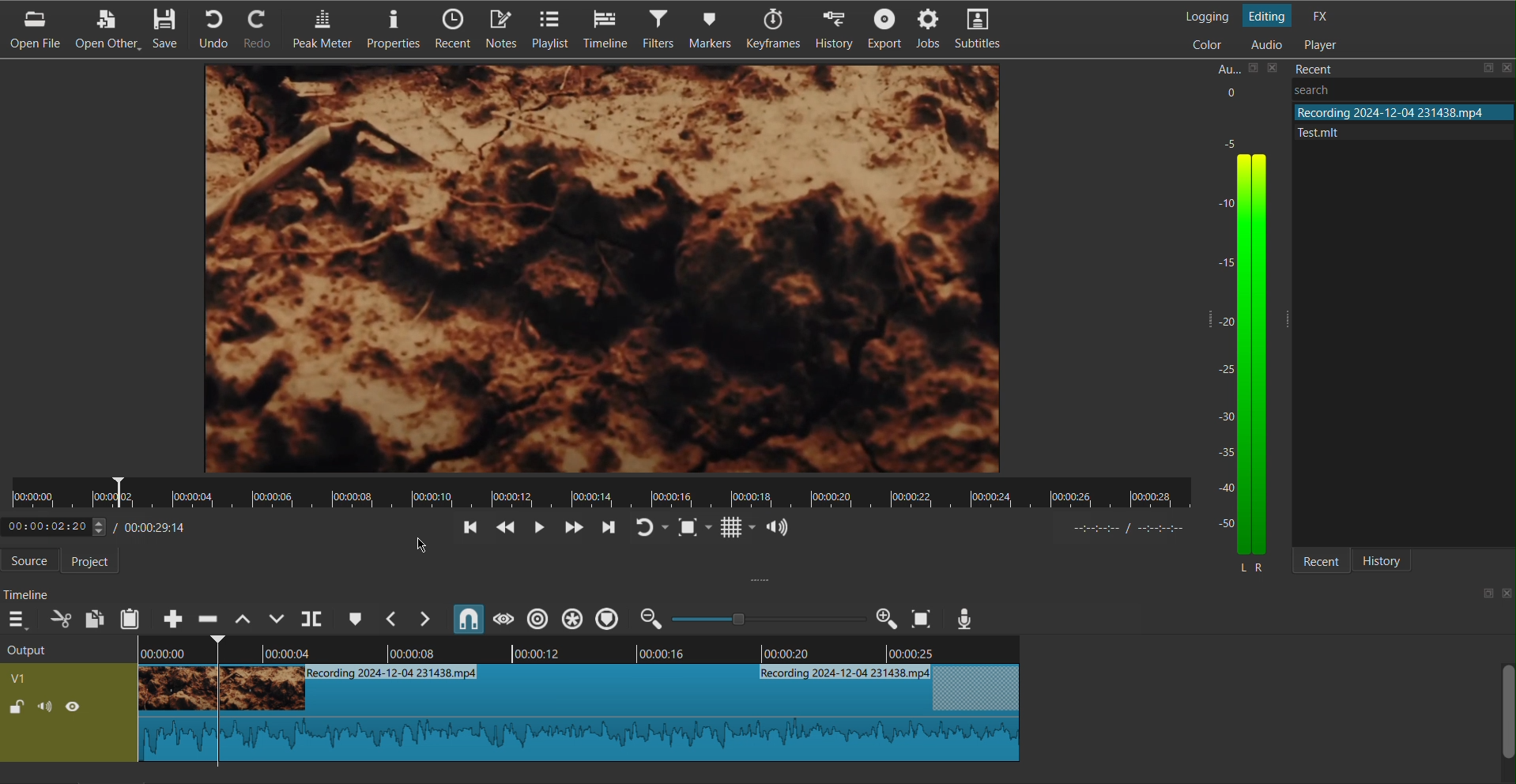 The image size is (1516, 784). What do you see at coordinates (1274, 67) in the screenshot?
I see `close` at bounding box center [1274, 67].